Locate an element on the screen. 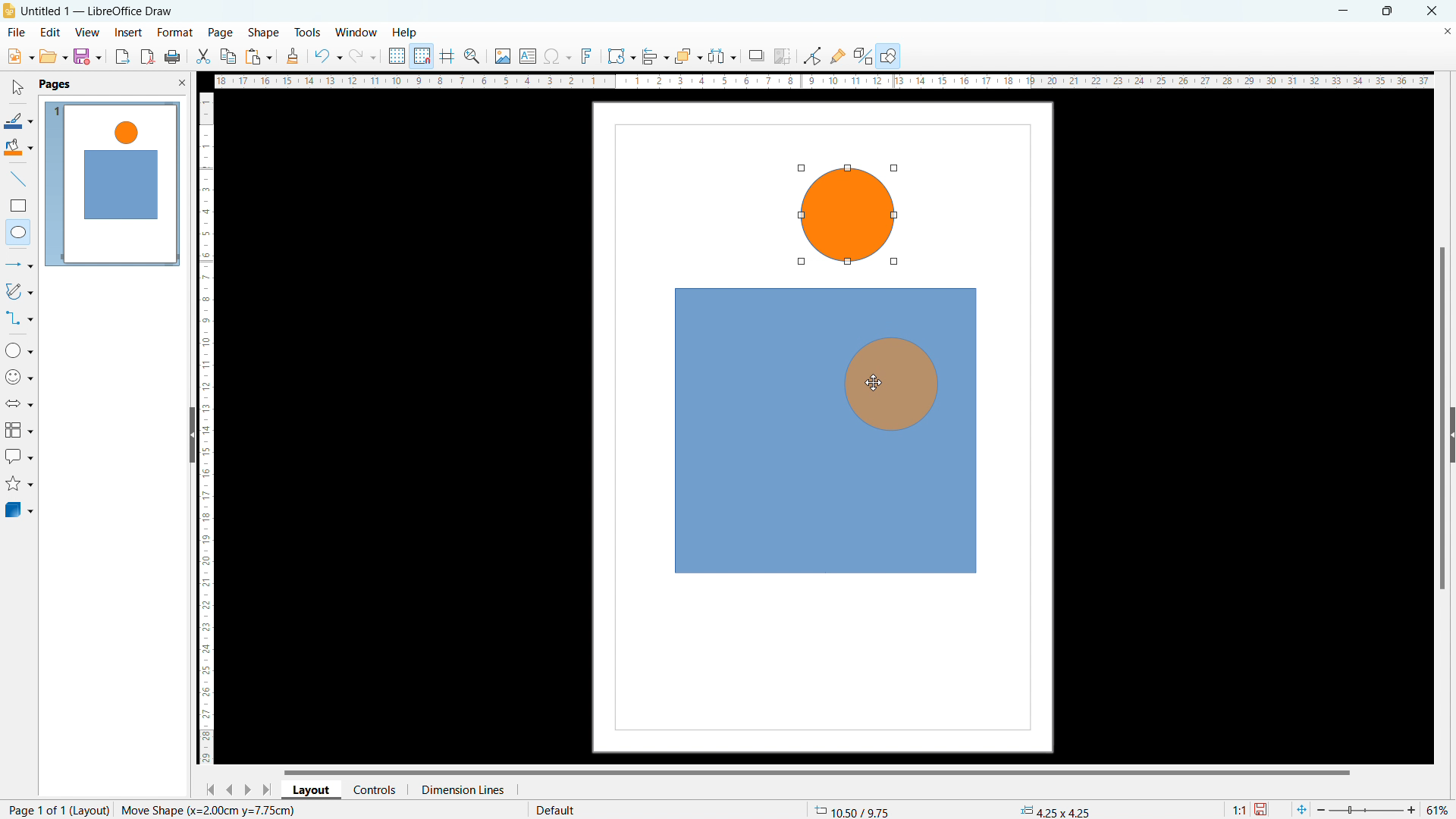 This screenshot has width=1456, height=819. select at least three objects to distributw is located at coordinates (721, 57).